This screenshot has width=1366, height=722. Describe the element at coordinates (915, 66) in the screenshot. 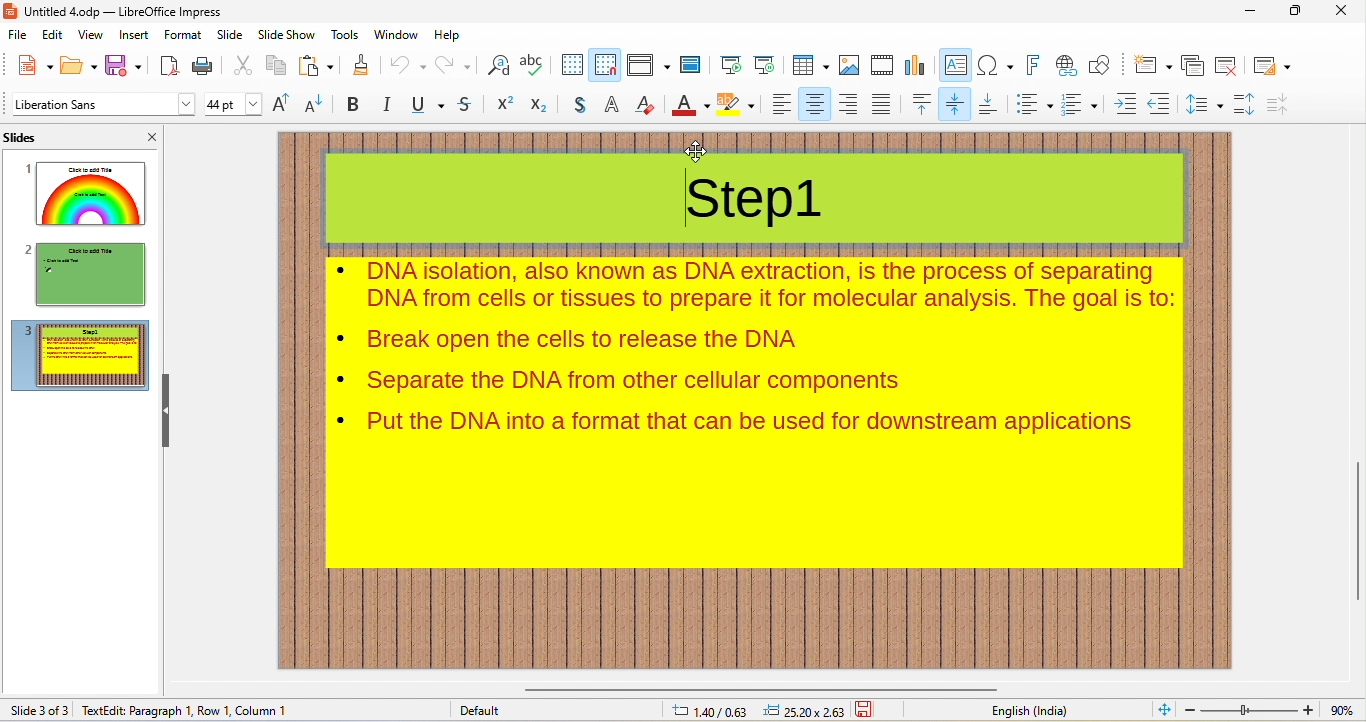

I see `chart` at that location.